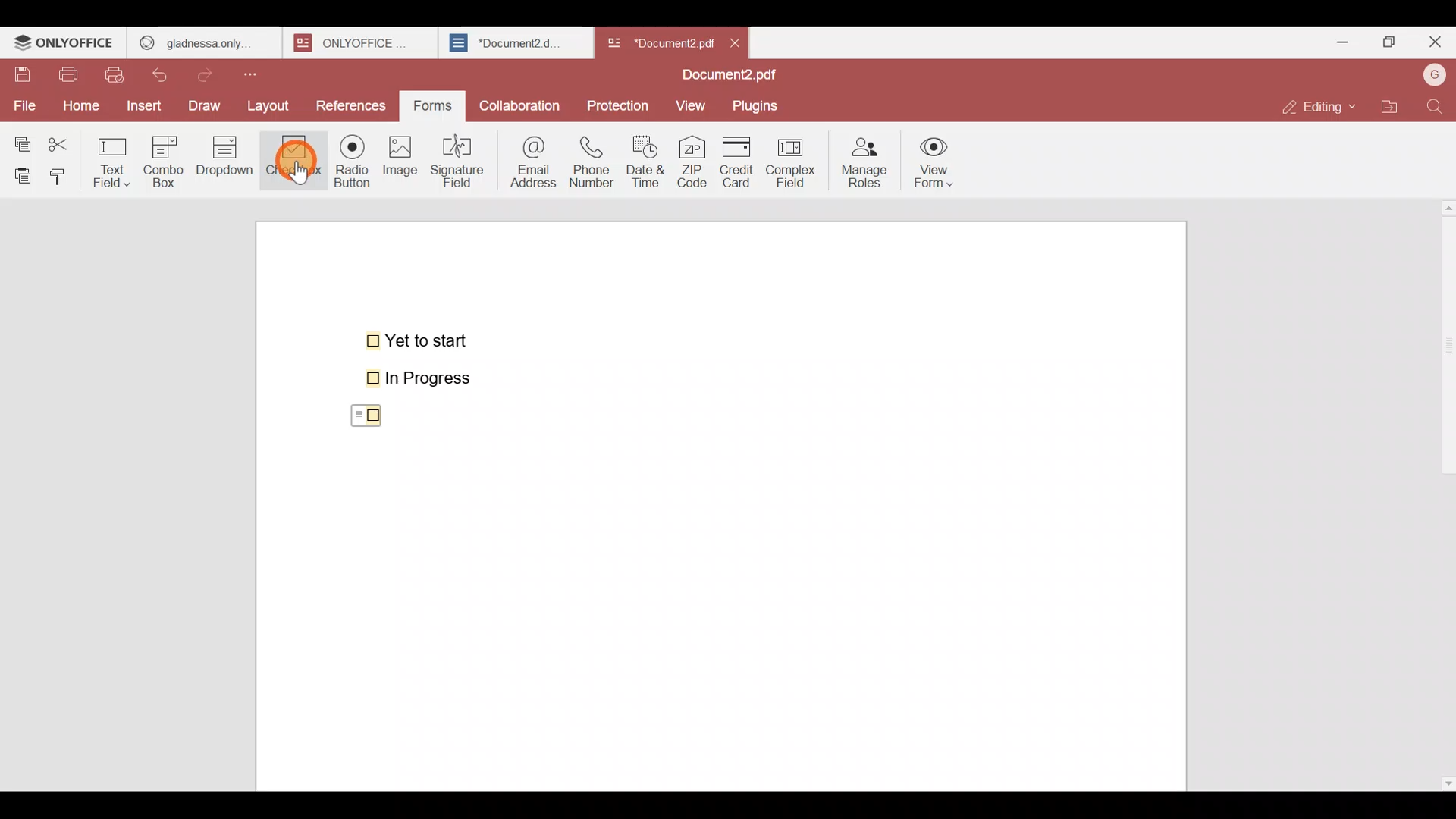 Image resolution: width=1456 pixels, height=819 pixels. I want to click on Document2.d, so click(515, 47).